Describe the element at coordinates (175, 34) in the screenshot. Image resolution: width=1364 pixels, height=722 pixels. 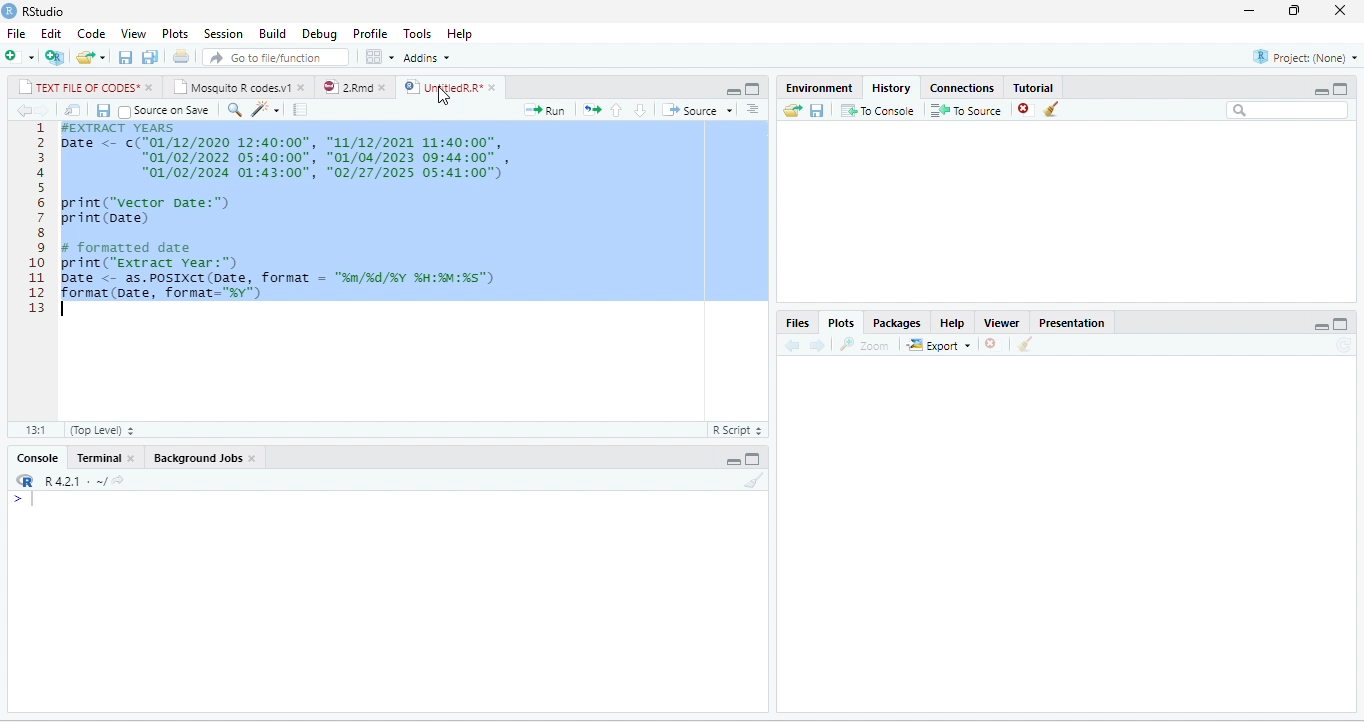
I see `Plots` at that location.